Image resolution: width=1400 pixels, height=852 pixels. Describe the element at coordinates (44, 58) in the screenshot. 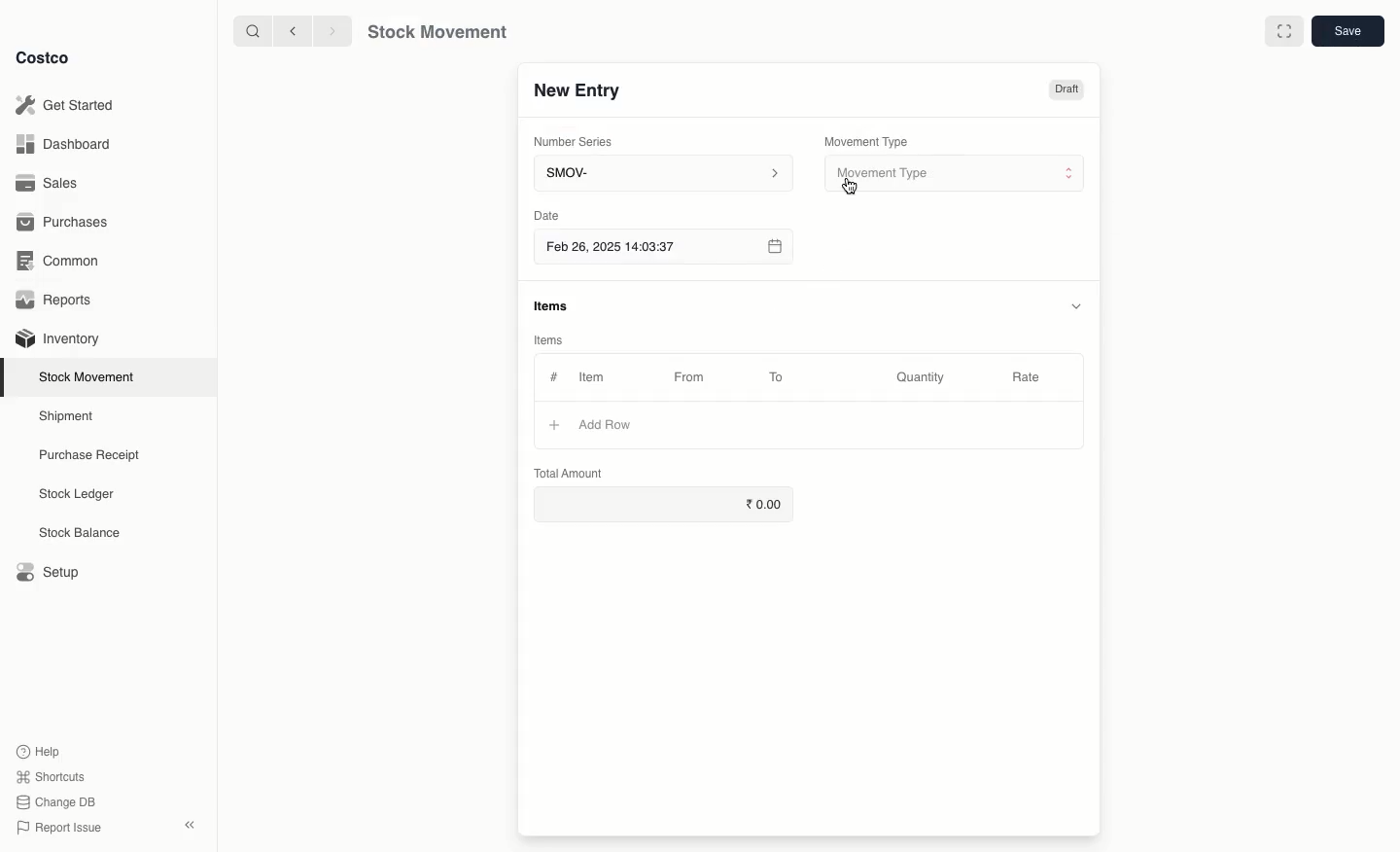

I see `Costco` at that location.